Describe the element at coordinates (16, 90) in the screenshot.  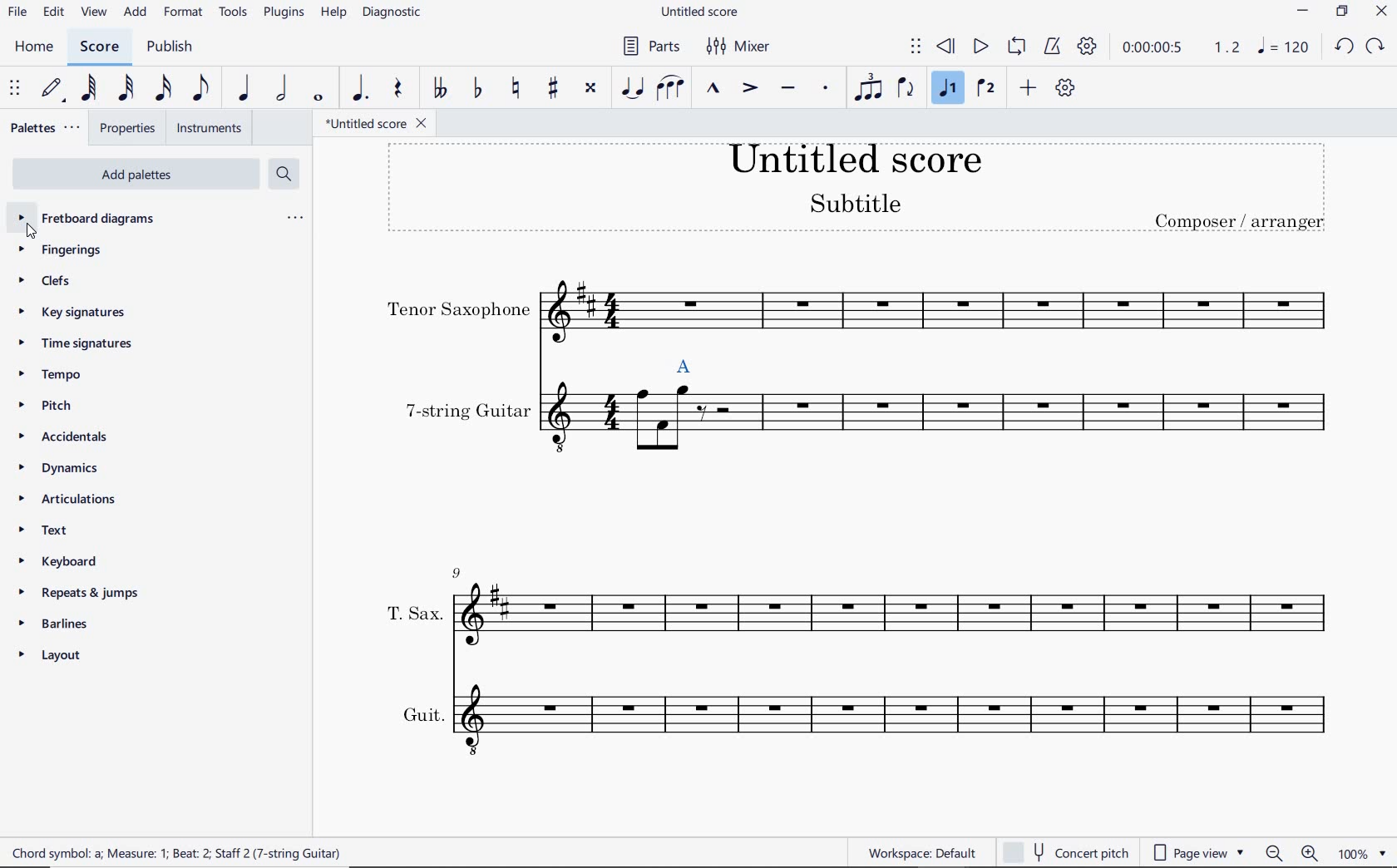
I see `SELECET TO MOVE` at that location.